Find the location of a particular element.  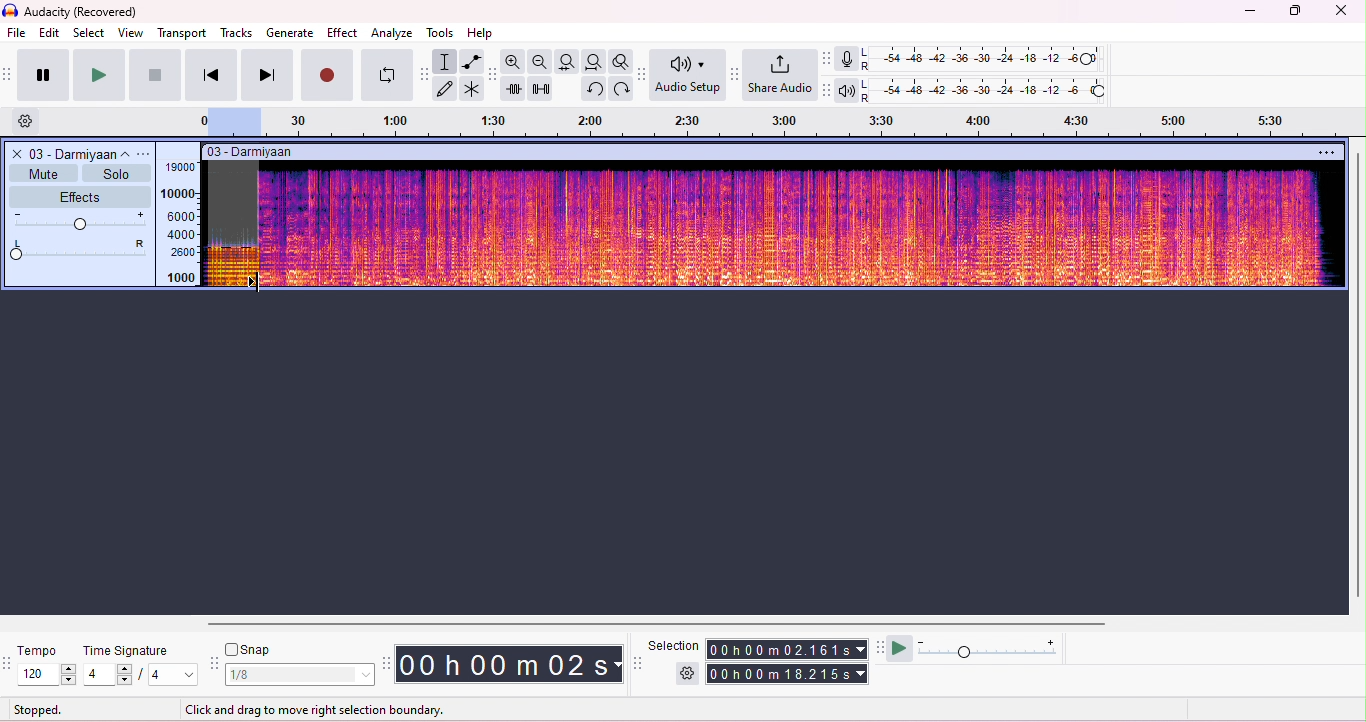

title is located at coordinates (73, 12).